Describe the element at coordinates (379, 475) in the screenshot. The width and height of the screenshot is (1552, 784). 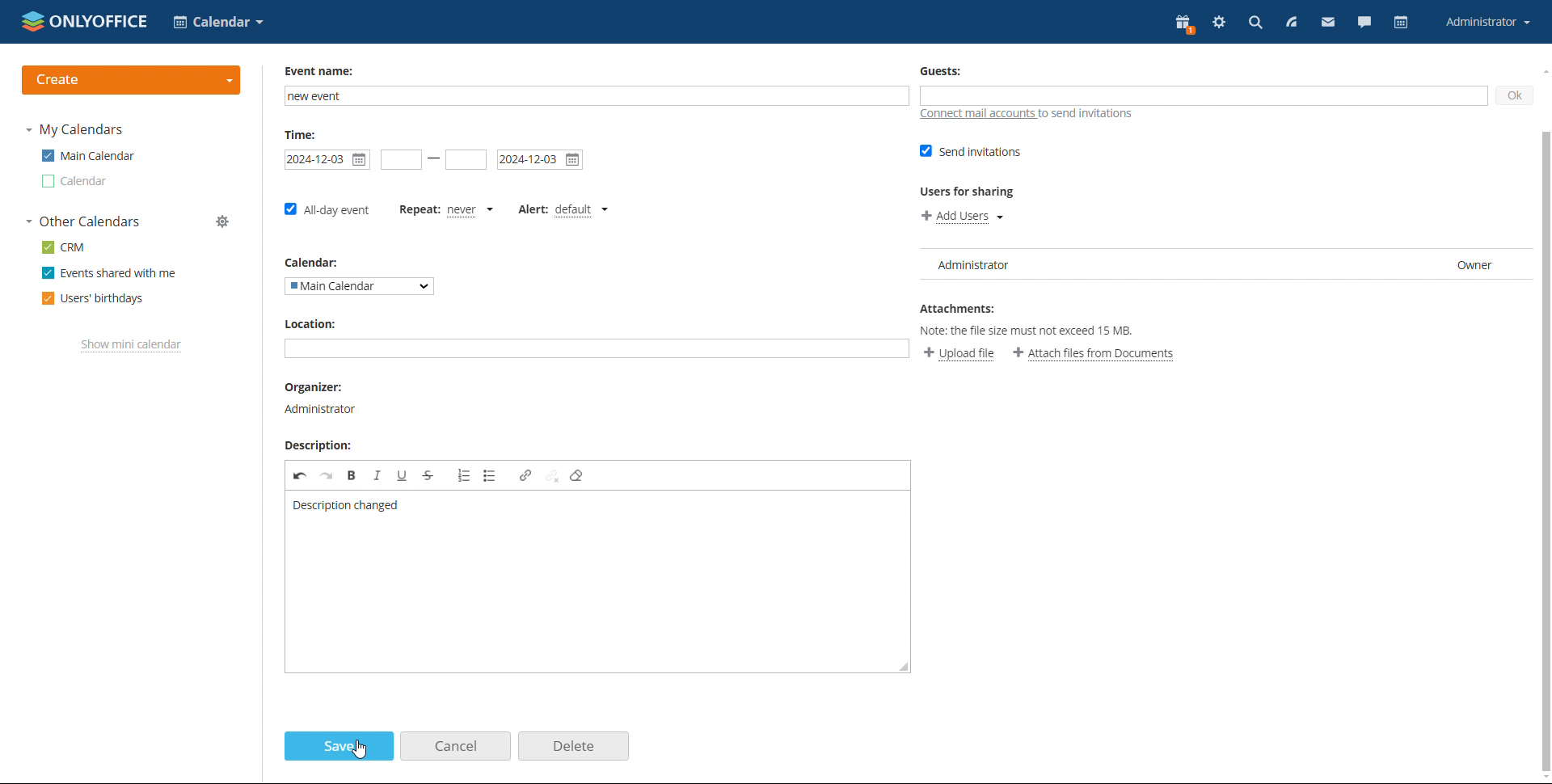
I see `italic` at that location.